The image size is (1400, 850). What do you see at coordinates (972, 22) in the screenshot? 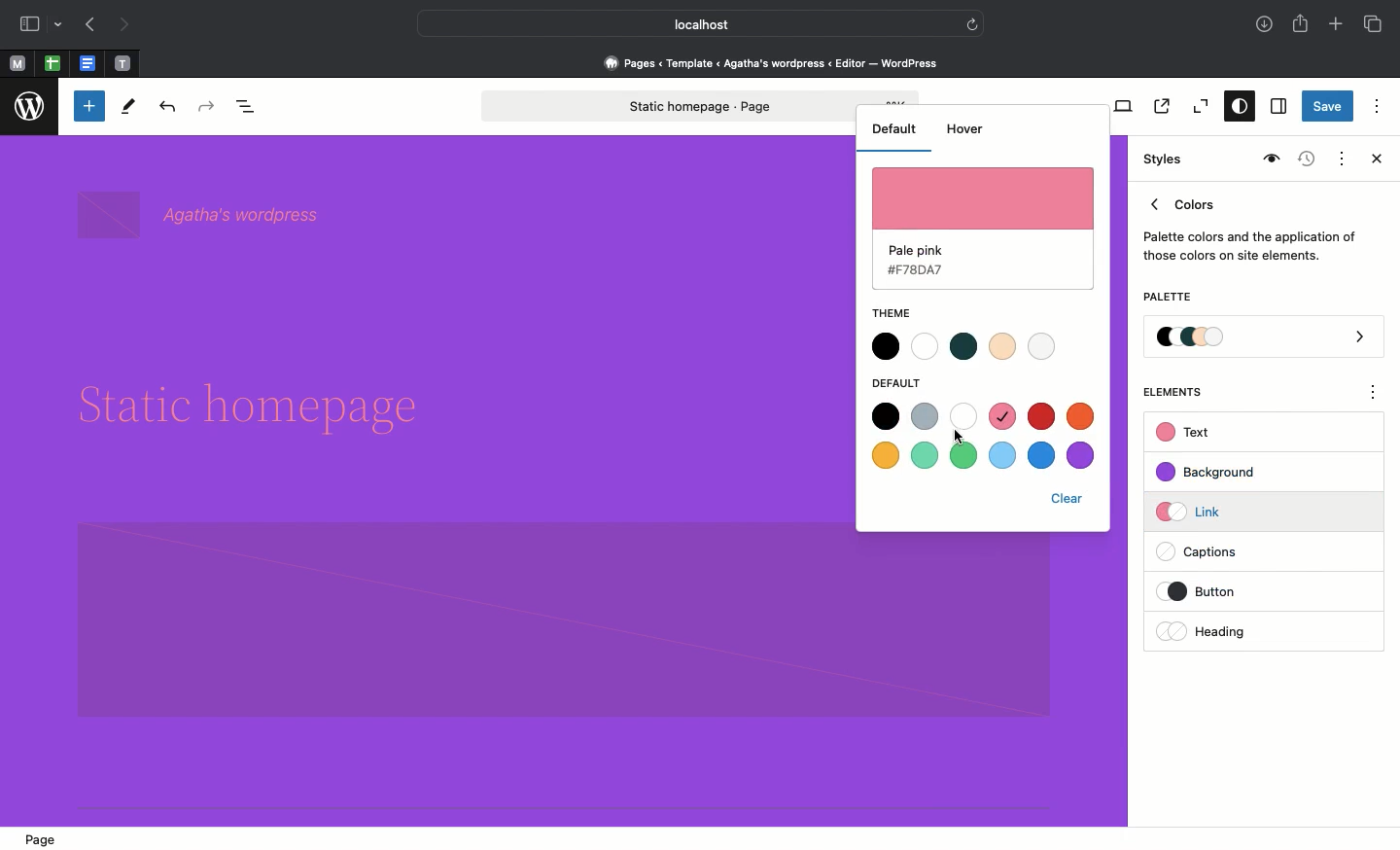
I see `refresh` at bounding box center [972, 22].